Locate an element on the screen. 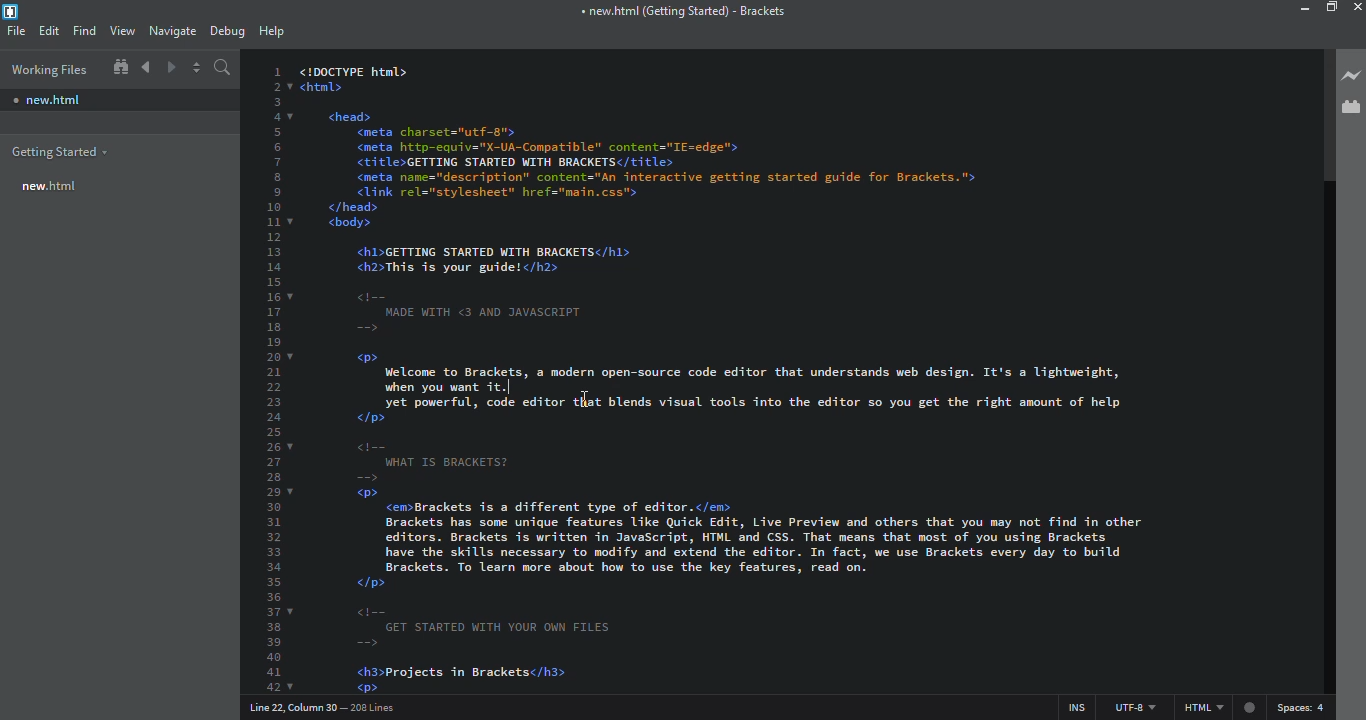 Image resolution: width=1366 pixels, height=720 pixels. getting started is located at coordinates (64, 152).